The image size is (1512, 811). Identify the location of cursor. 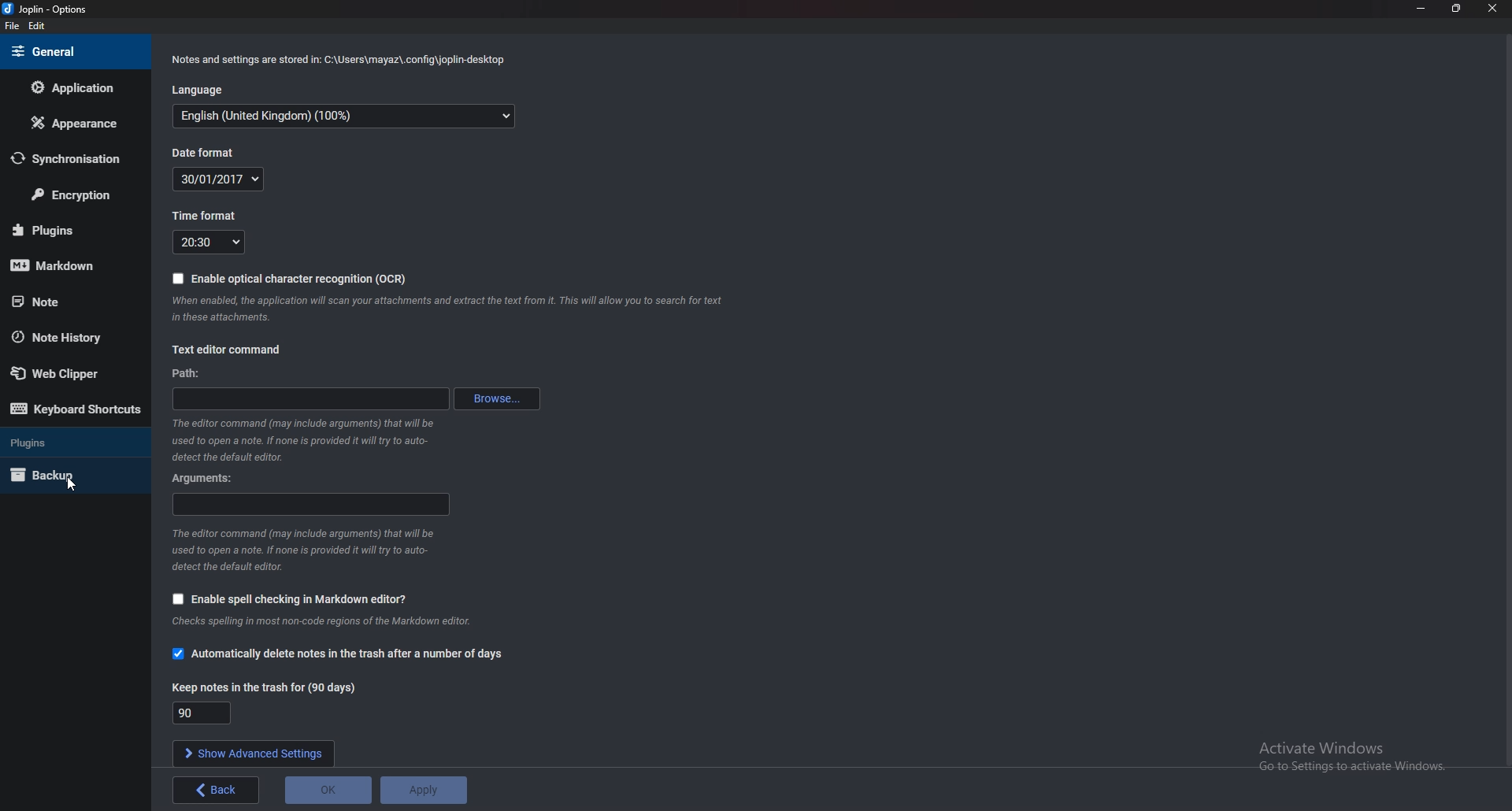
(69, 483).